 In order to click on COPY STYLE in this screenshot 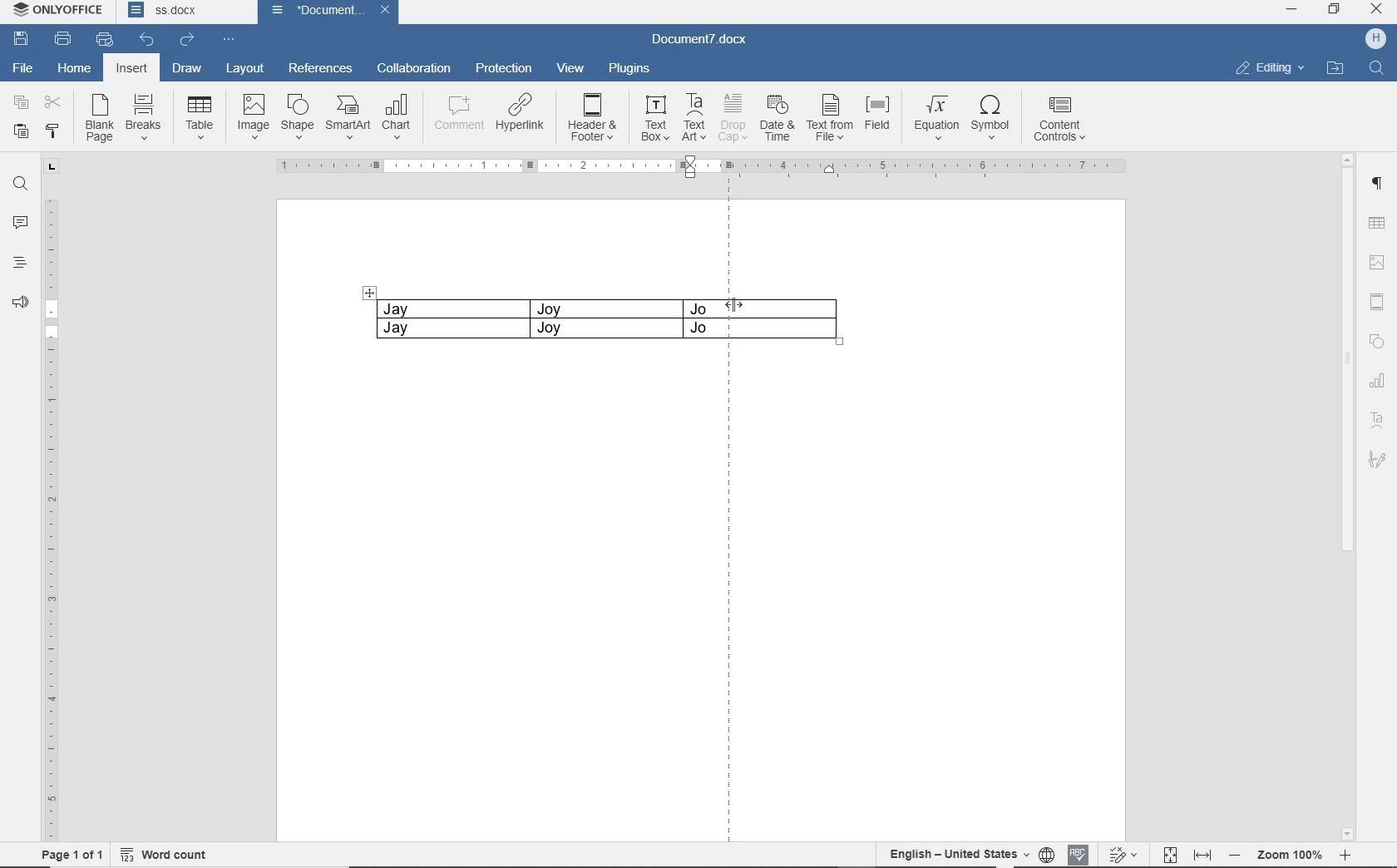, I will do `click(52, 132)`.